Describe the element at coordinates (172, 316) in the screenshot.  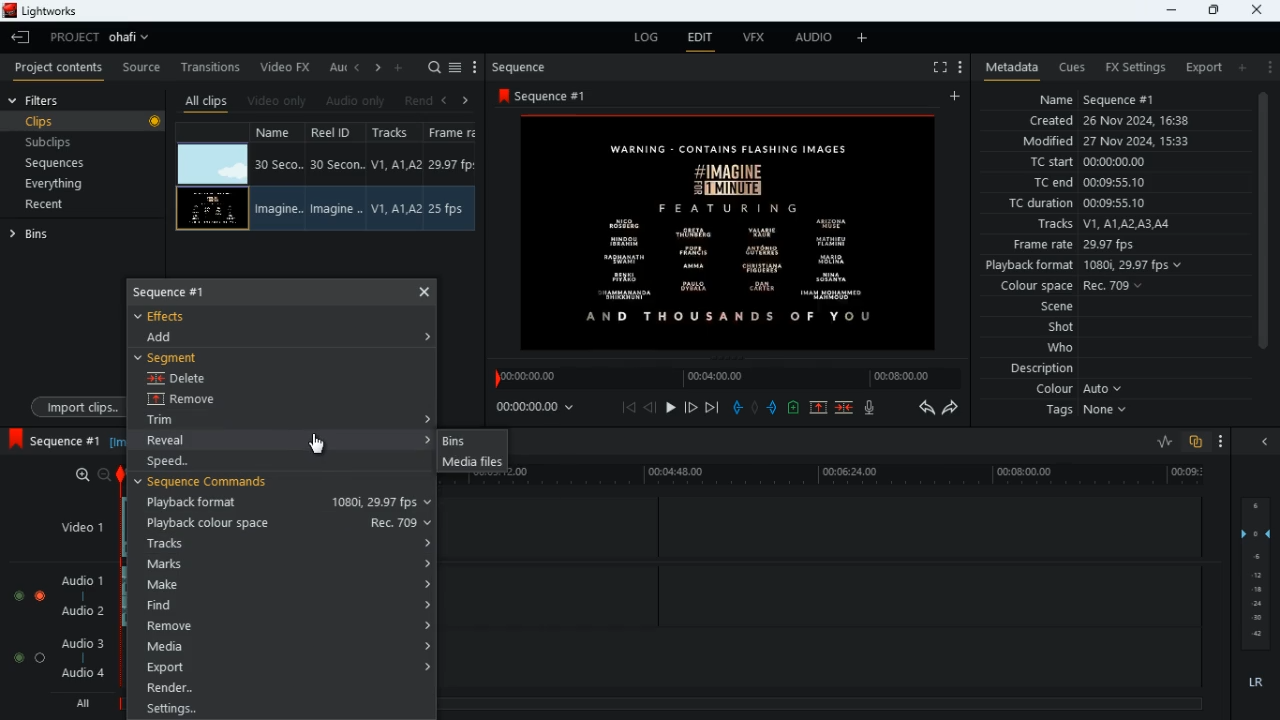
I see `effects` at that location.